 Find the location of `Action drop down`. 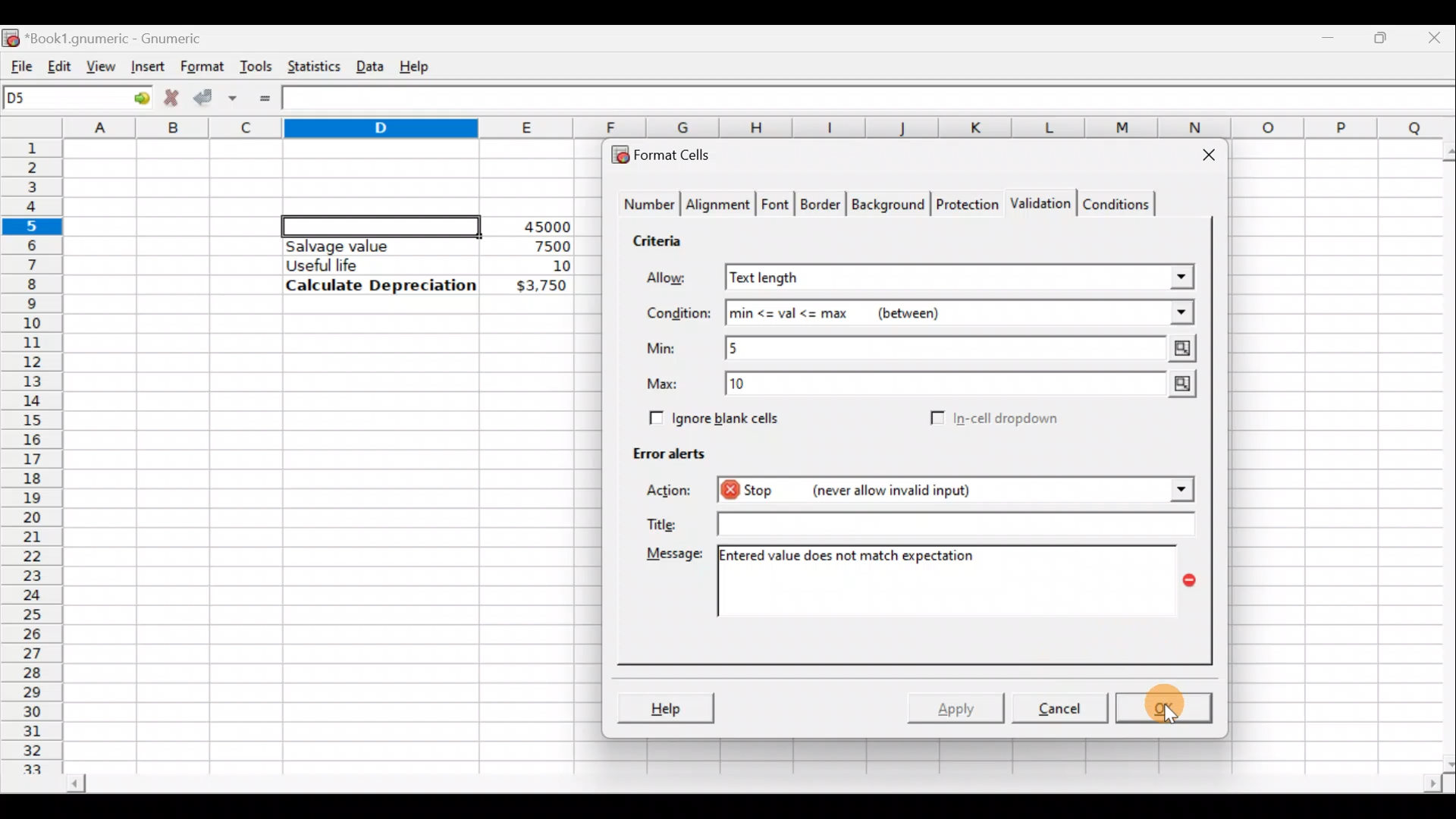

Action drop down is located at coordinates (1169, 490).